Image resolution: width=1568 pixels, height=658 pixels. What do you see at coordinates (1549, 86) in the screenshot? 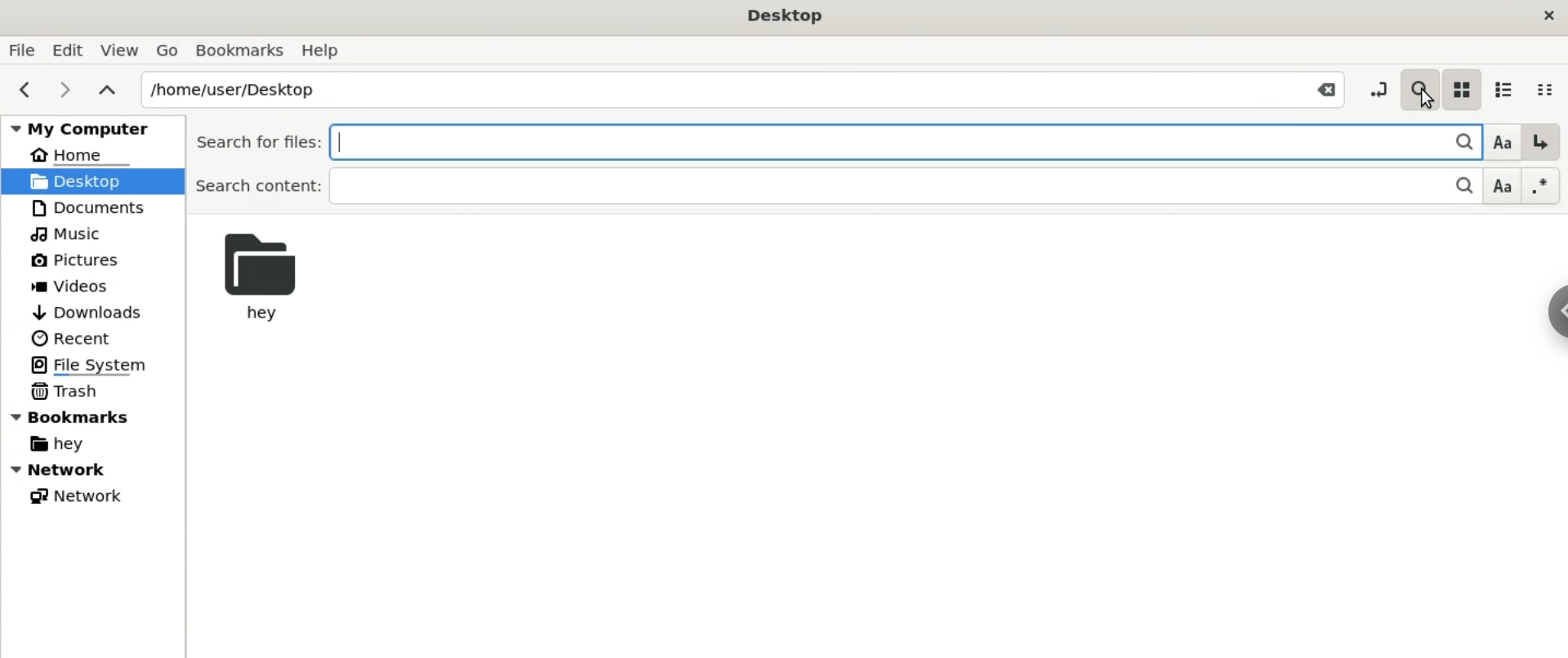
I see `compact view` at bounding box center [1549, 86].